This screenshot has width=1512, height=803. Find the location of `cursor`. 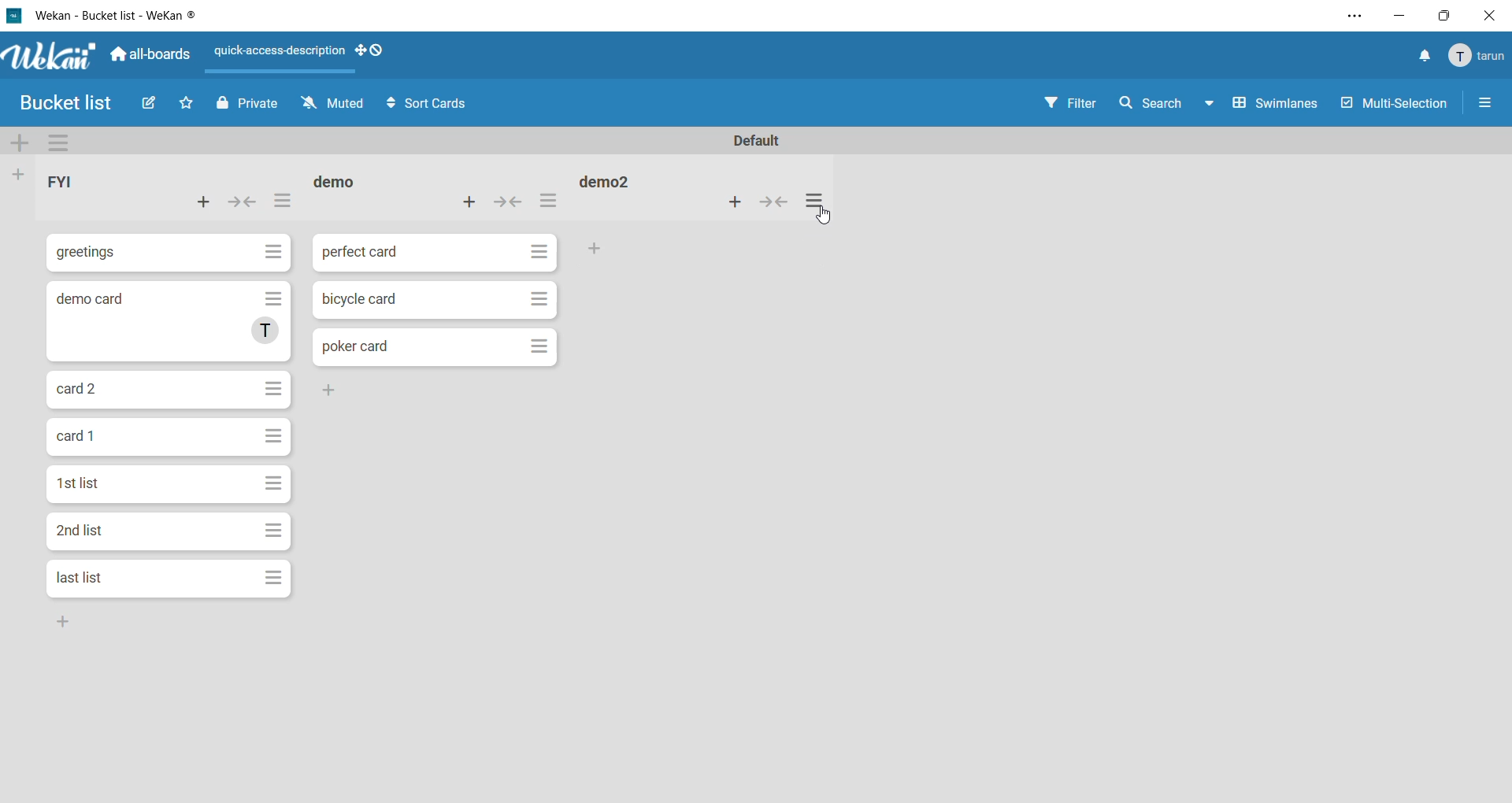

cursor is located at coordinates (828, 218).